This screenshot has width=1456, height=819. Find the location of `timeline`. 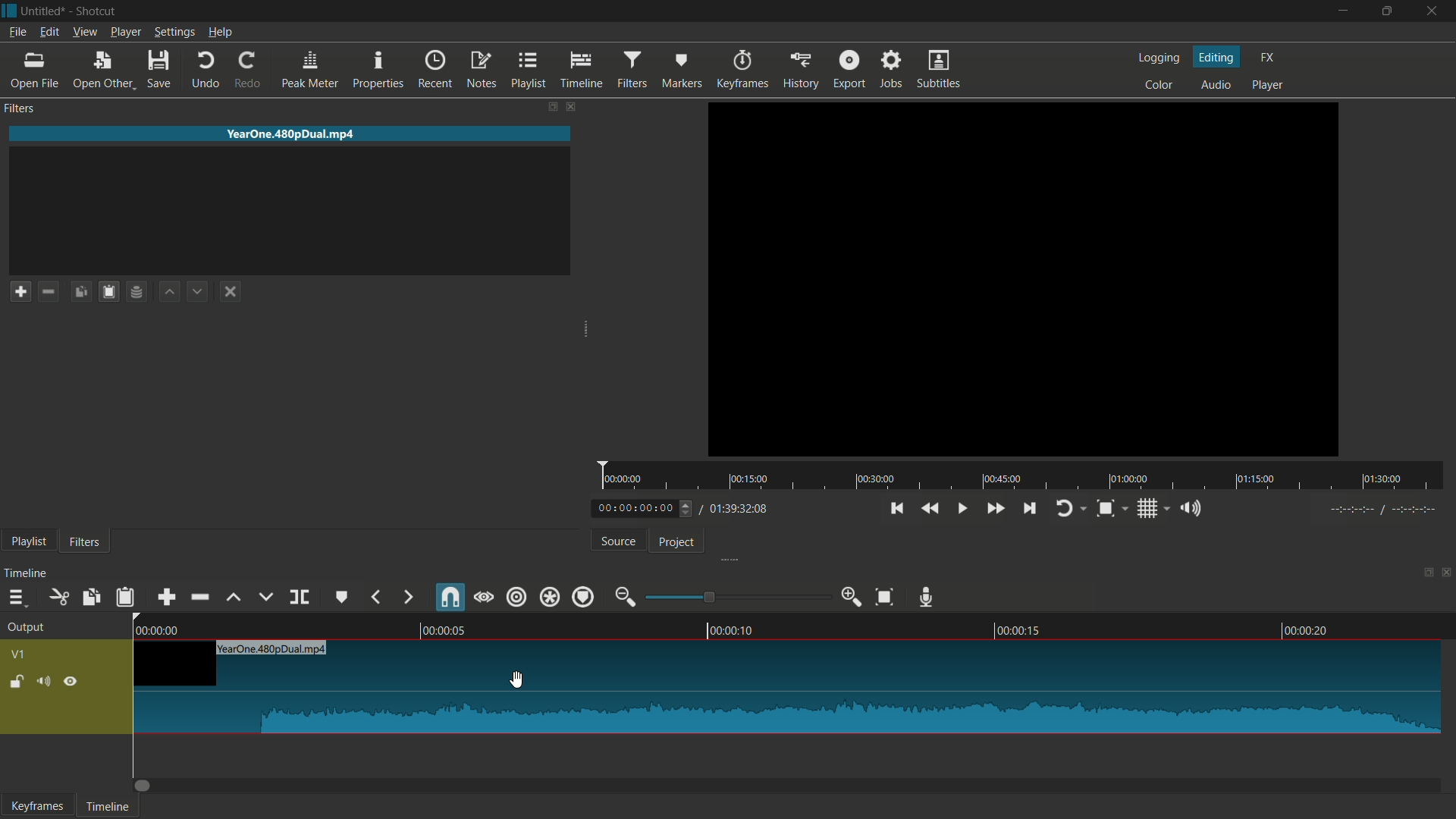

timeline is located at coordinates (27, 572).